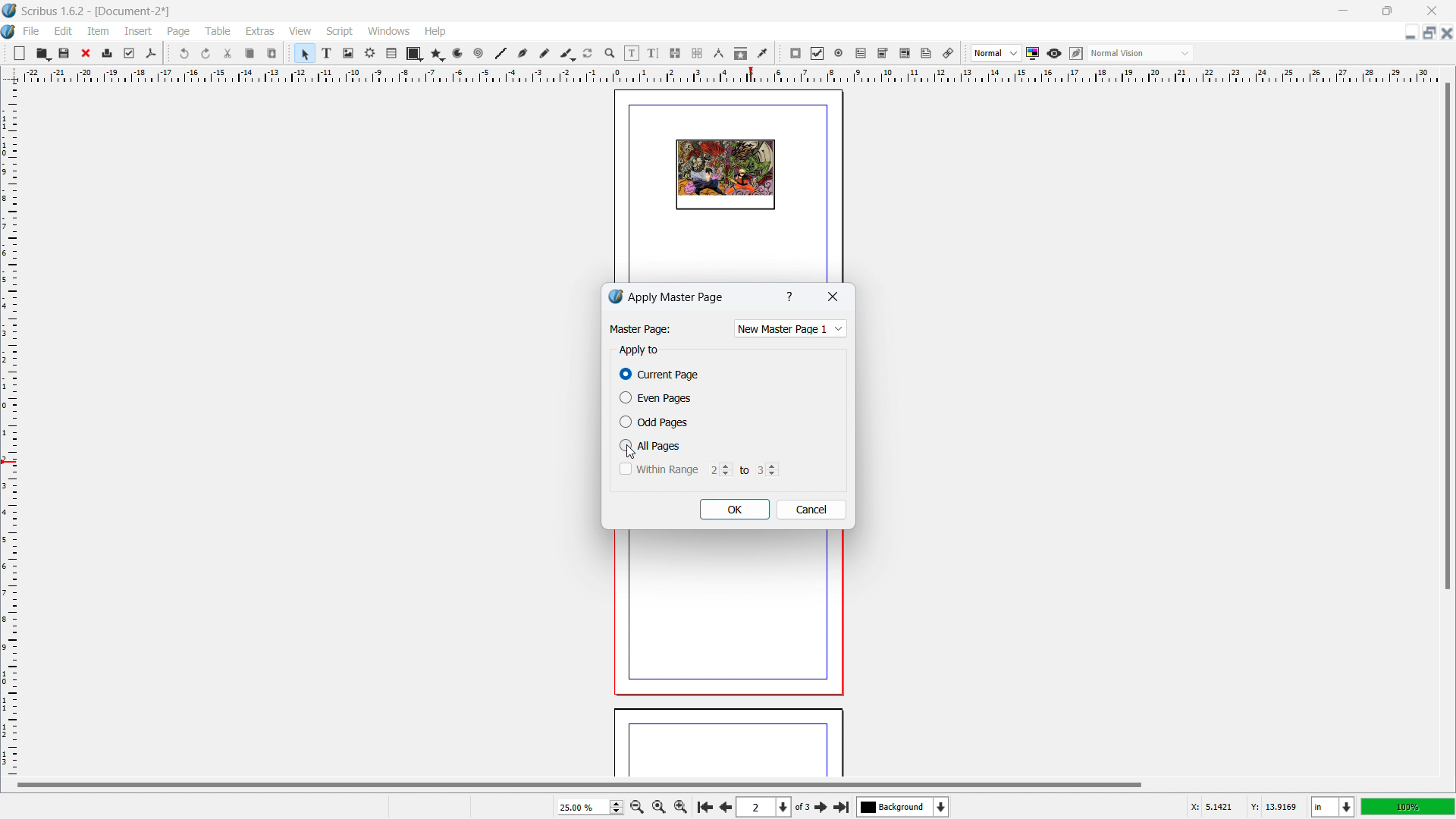 This screenshot has width=1456, height=819. Describe the element at coordinates (206, 54) in the screenshot. I see `redo` at that location.